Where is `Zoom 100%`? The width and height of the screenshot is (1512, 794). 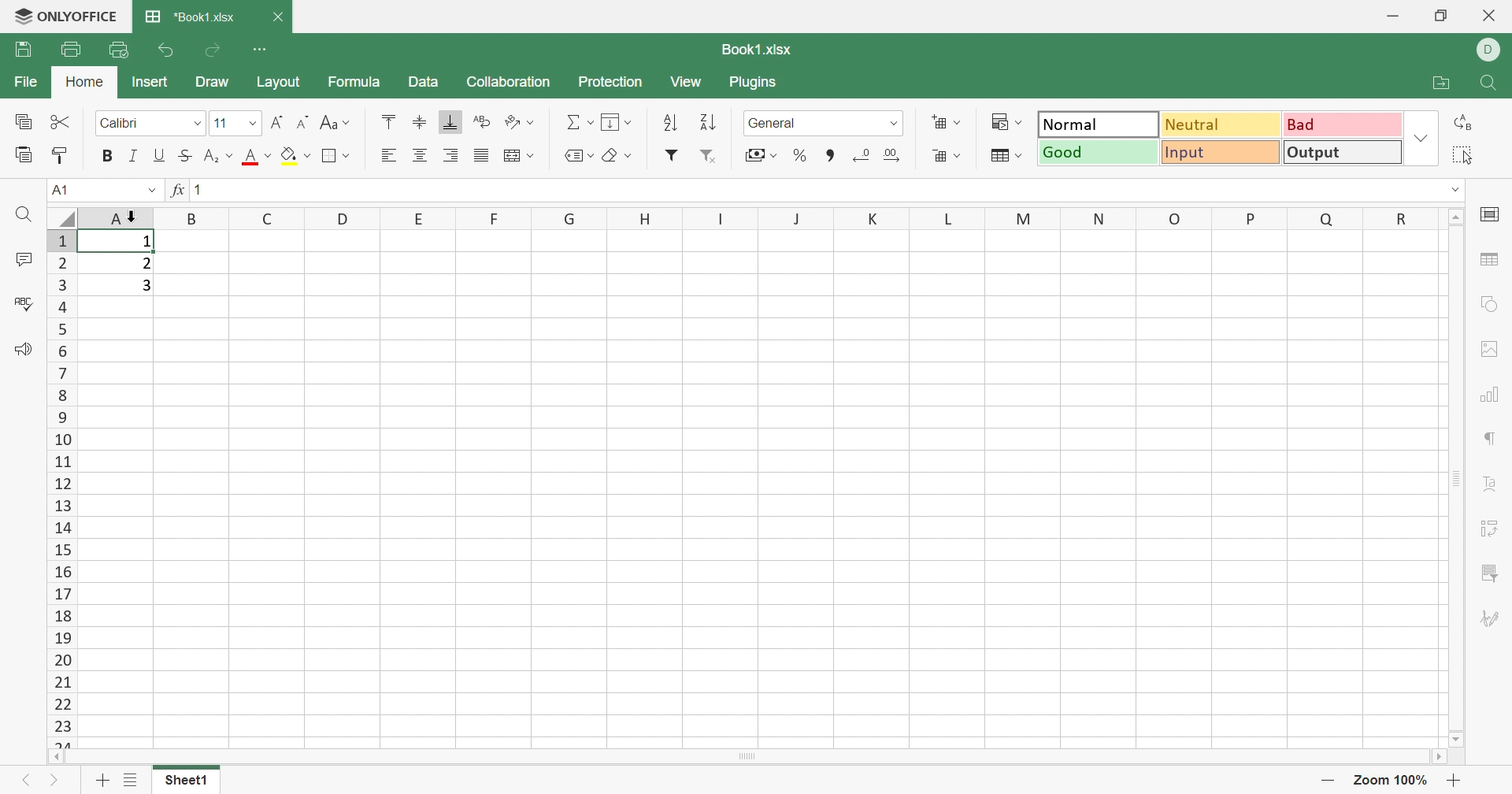
Zoom 100% is located at coordinates (1388, 782).